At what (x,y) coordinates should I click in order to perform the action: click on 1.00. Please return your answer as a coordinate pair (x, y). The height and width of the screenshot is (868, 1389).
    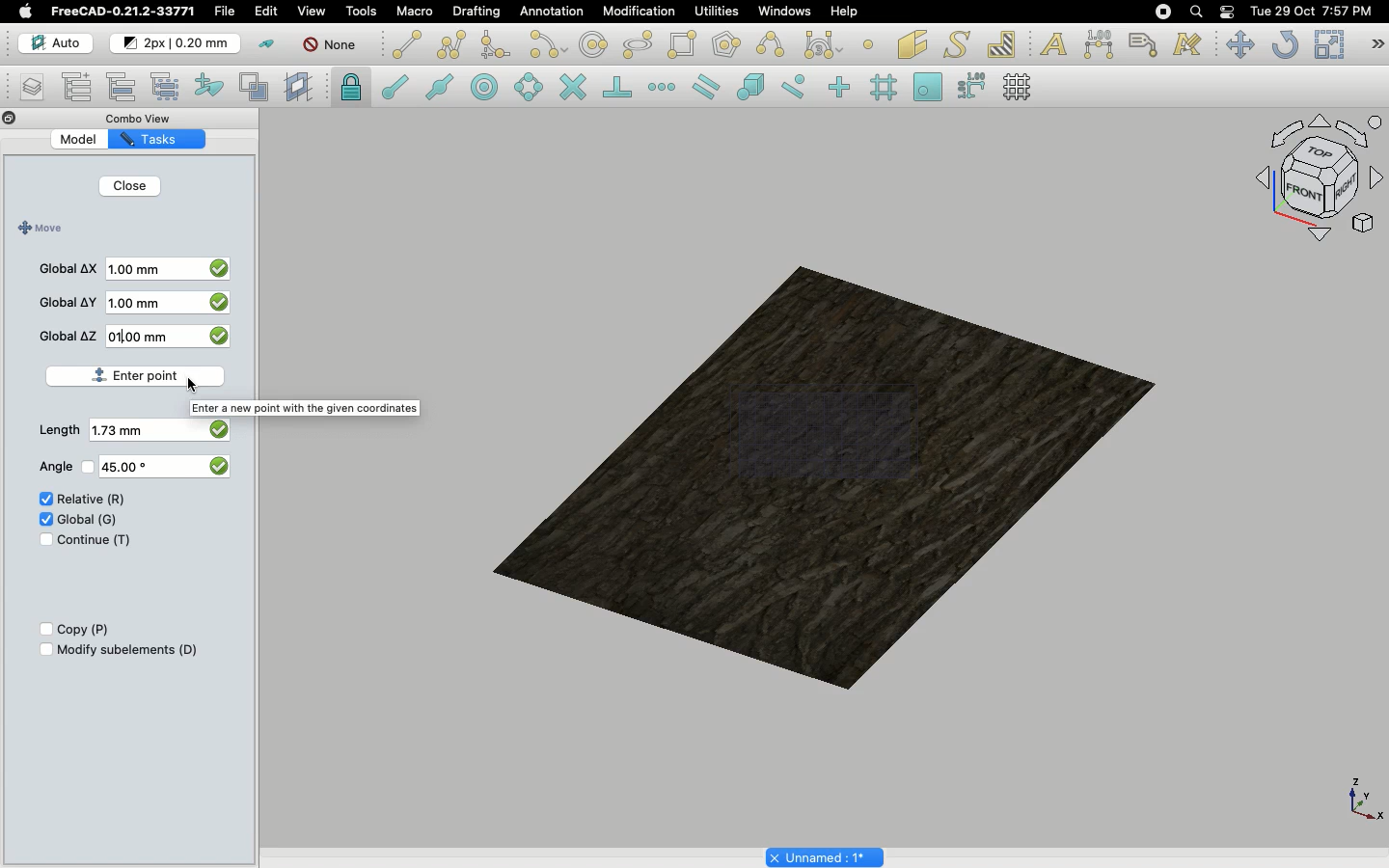
    Looking at the image, I should click on (139, 271).